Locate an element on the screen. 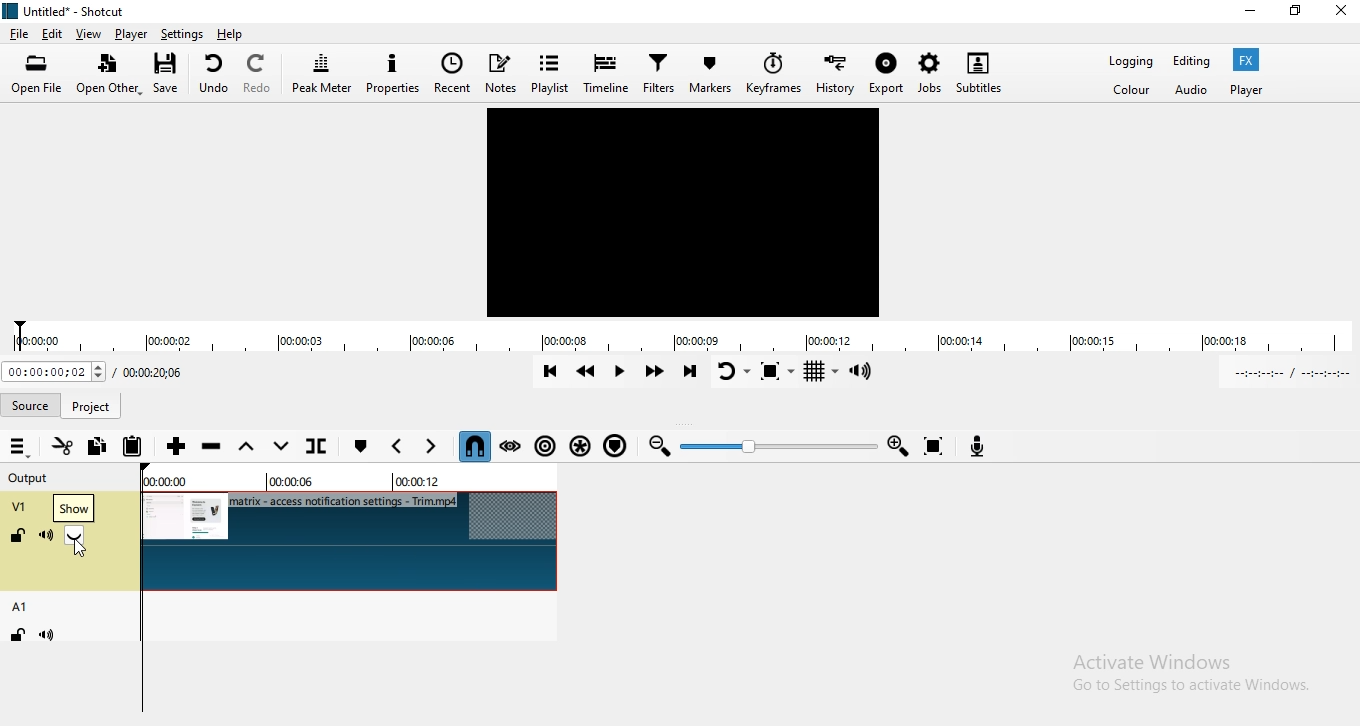  Player is located at coordinates (1252, 89).